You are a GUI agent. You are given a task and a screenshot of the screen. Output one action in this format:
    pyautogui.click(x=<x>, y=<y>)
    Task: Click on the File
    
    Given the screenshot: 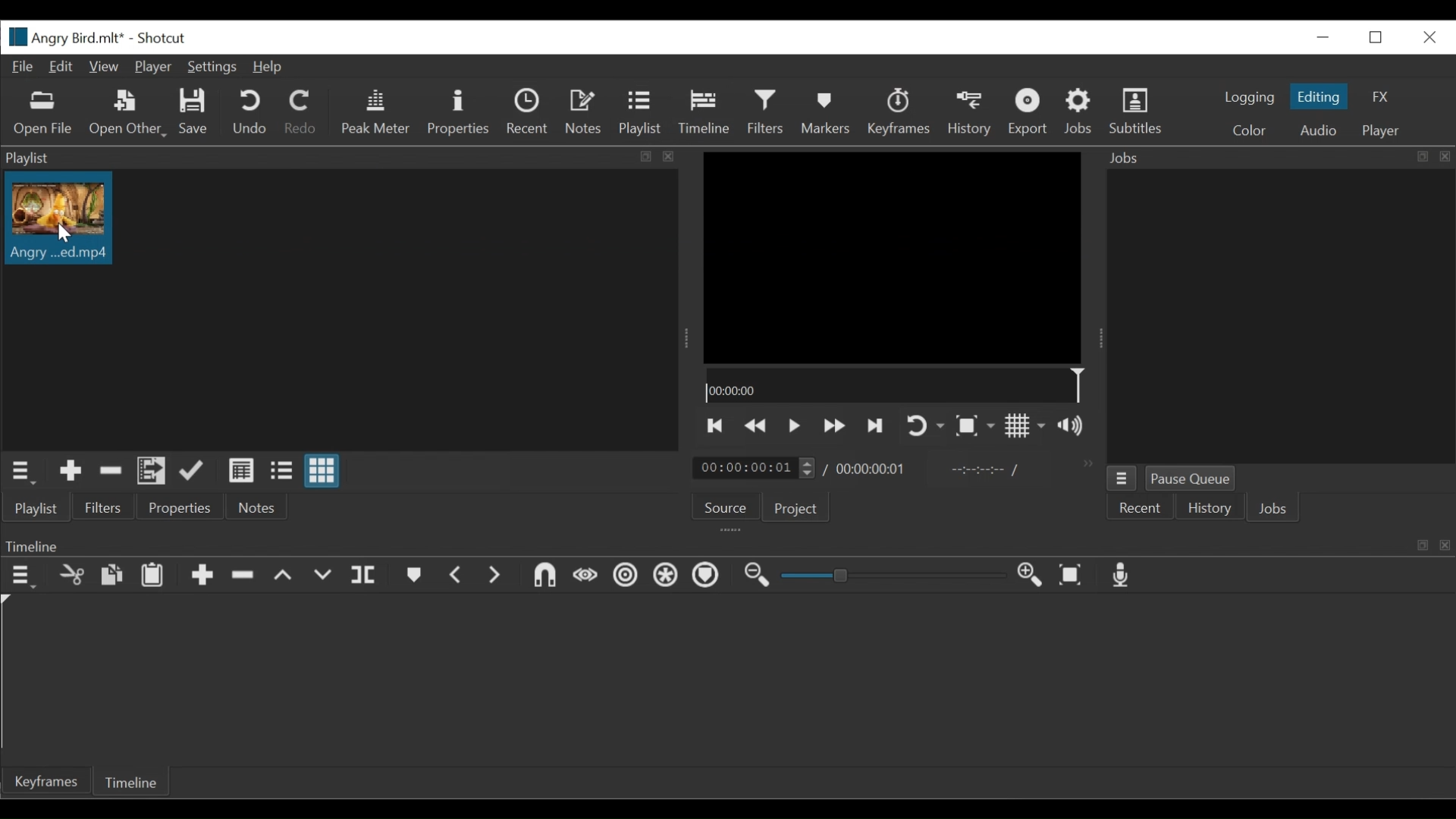 What is the action you would take?
    pyautogui.click(x=24, y=67)
    